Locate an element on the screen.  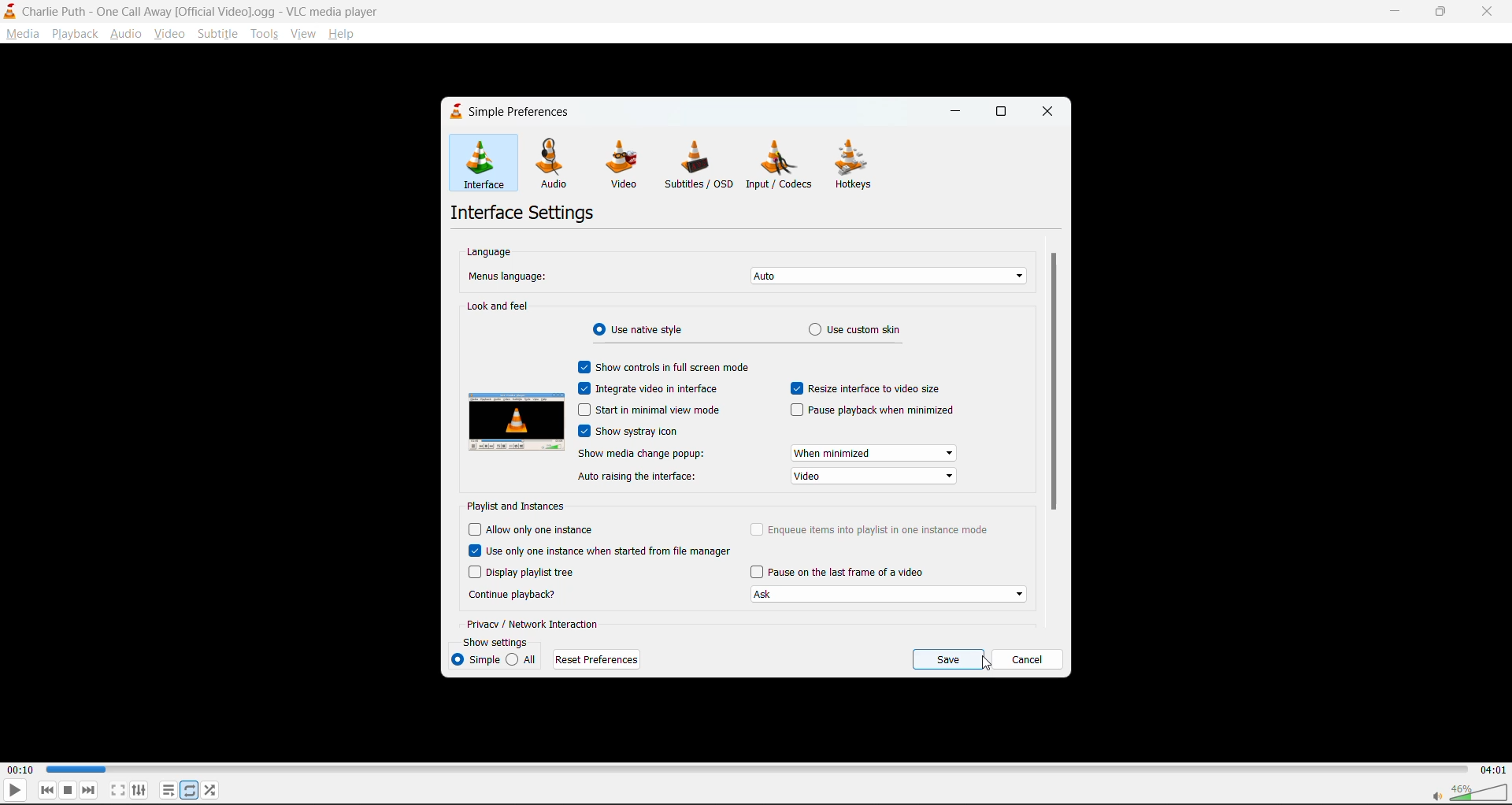
minimize is located at coordinates (962, 110).